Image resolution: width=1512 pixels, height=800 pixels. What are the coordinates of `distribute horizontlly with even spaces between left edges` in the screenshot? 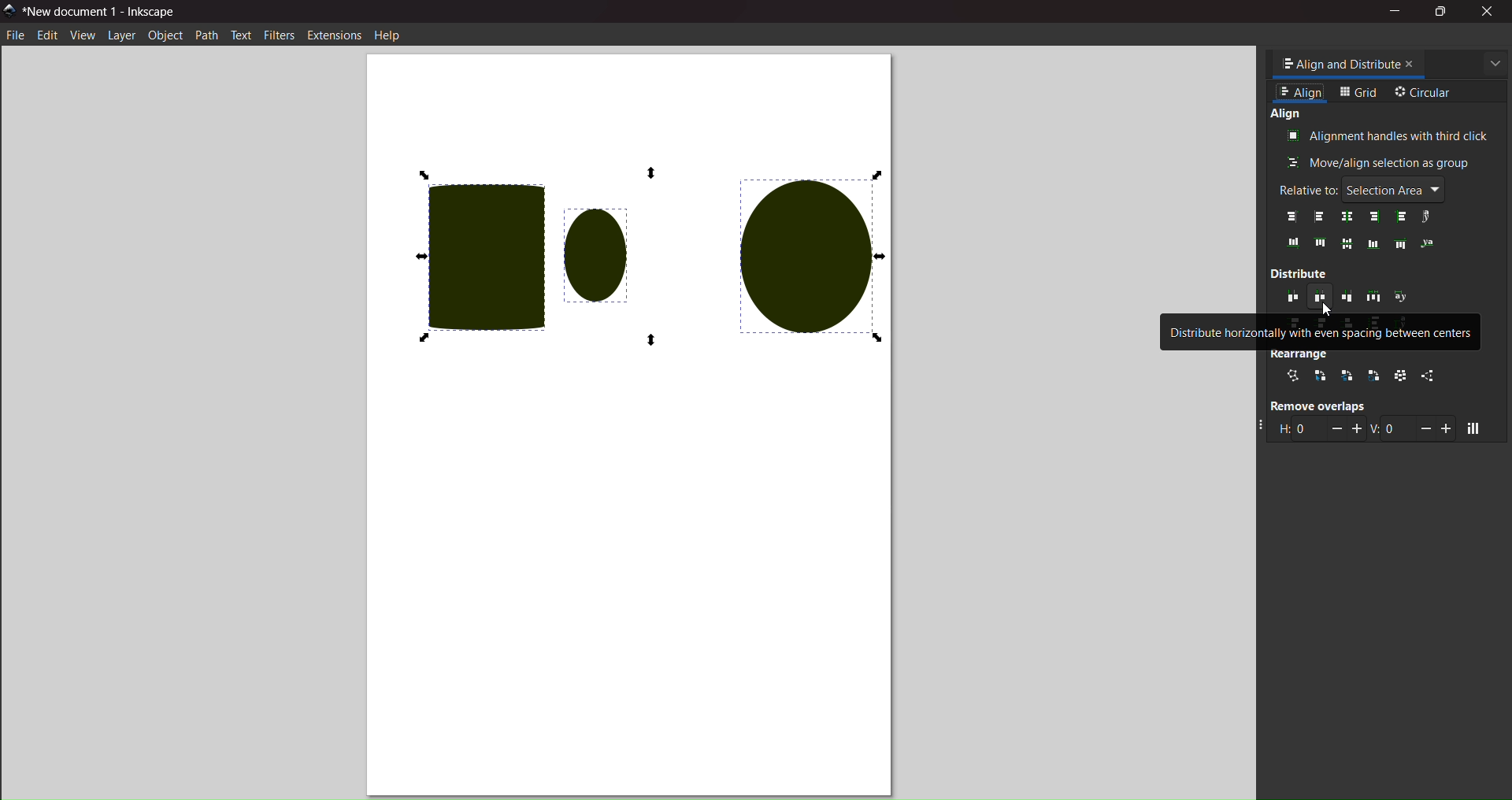 It's located at (1291, 296).